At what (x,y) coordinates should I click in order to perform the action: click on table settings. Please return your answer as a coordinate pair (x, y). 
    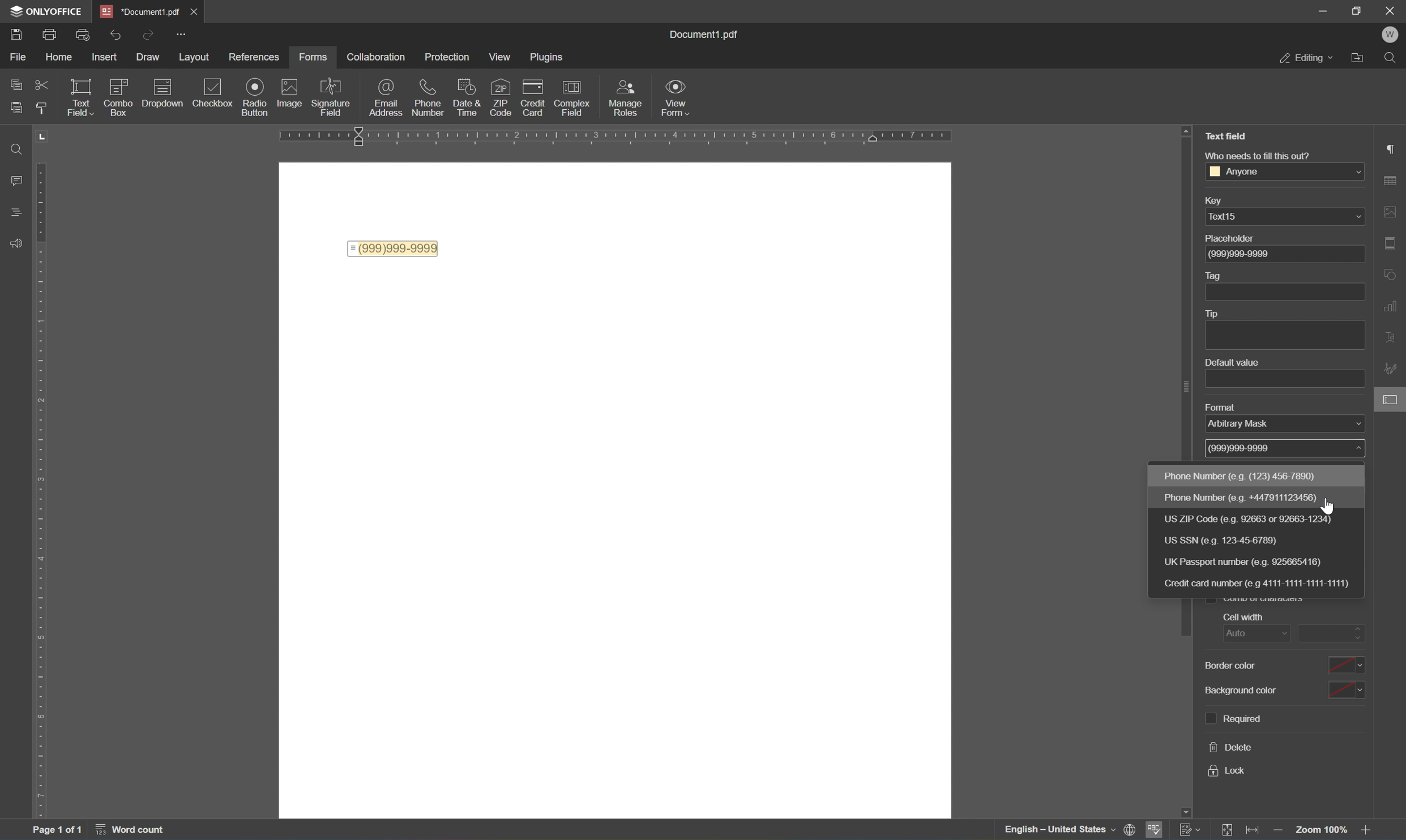
    Looking at the image, I should click on (1394, 179).